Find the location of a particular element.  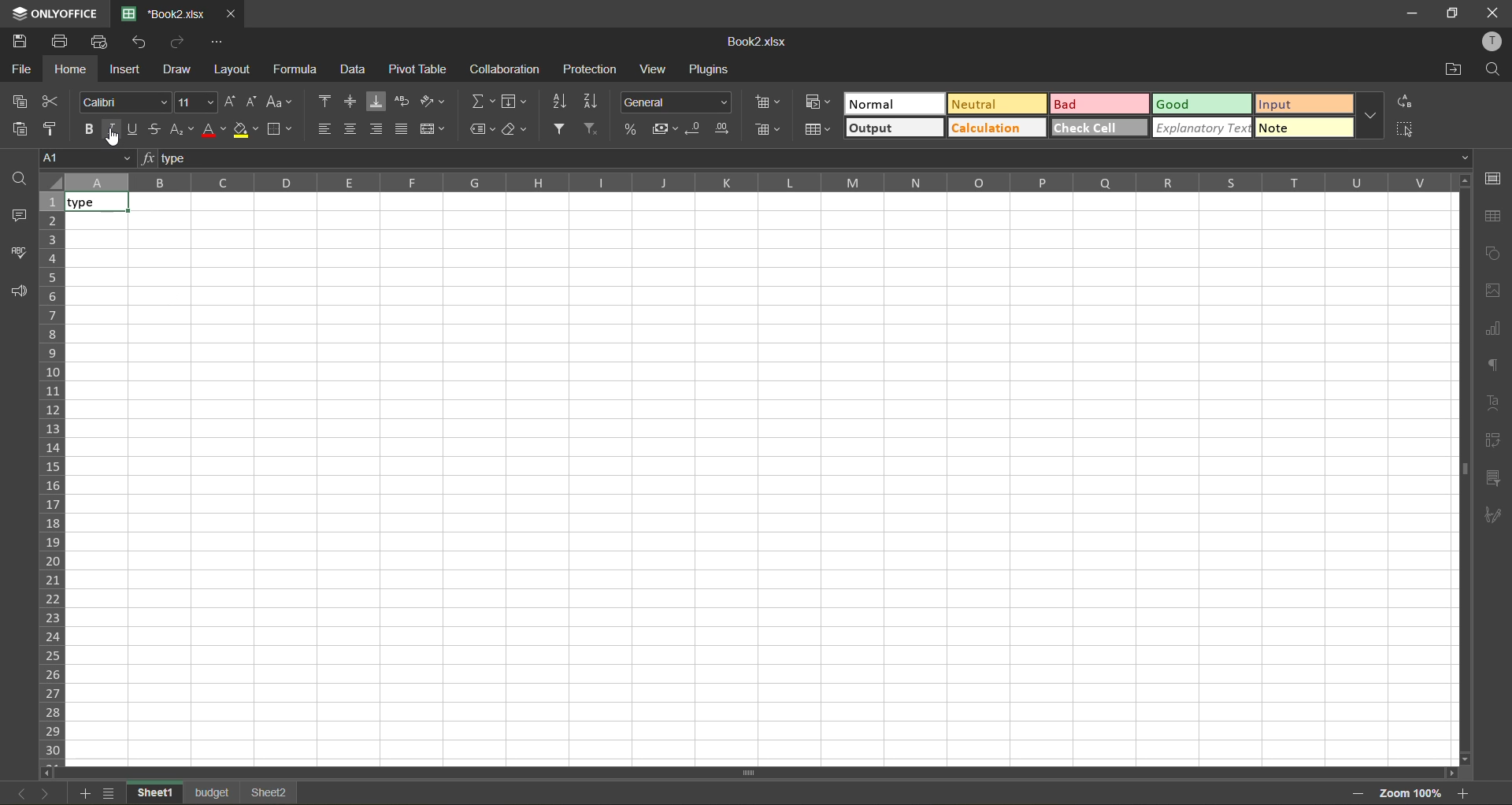

feedback is located at coordinates (18, 293).